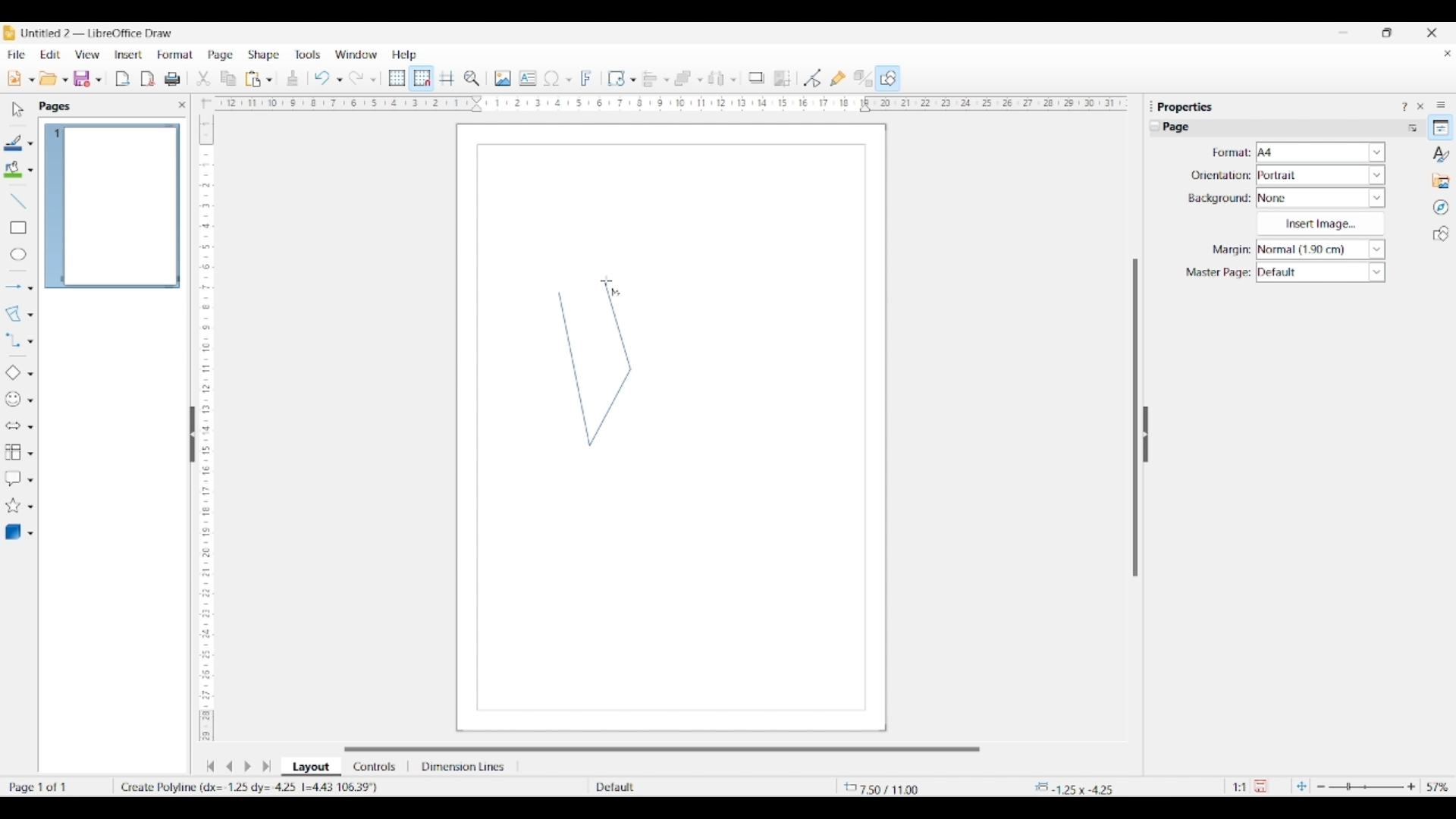 Image resolution: width=1456 pixels, height=819 pixels. I want to click on Save options, so click(99, 80).